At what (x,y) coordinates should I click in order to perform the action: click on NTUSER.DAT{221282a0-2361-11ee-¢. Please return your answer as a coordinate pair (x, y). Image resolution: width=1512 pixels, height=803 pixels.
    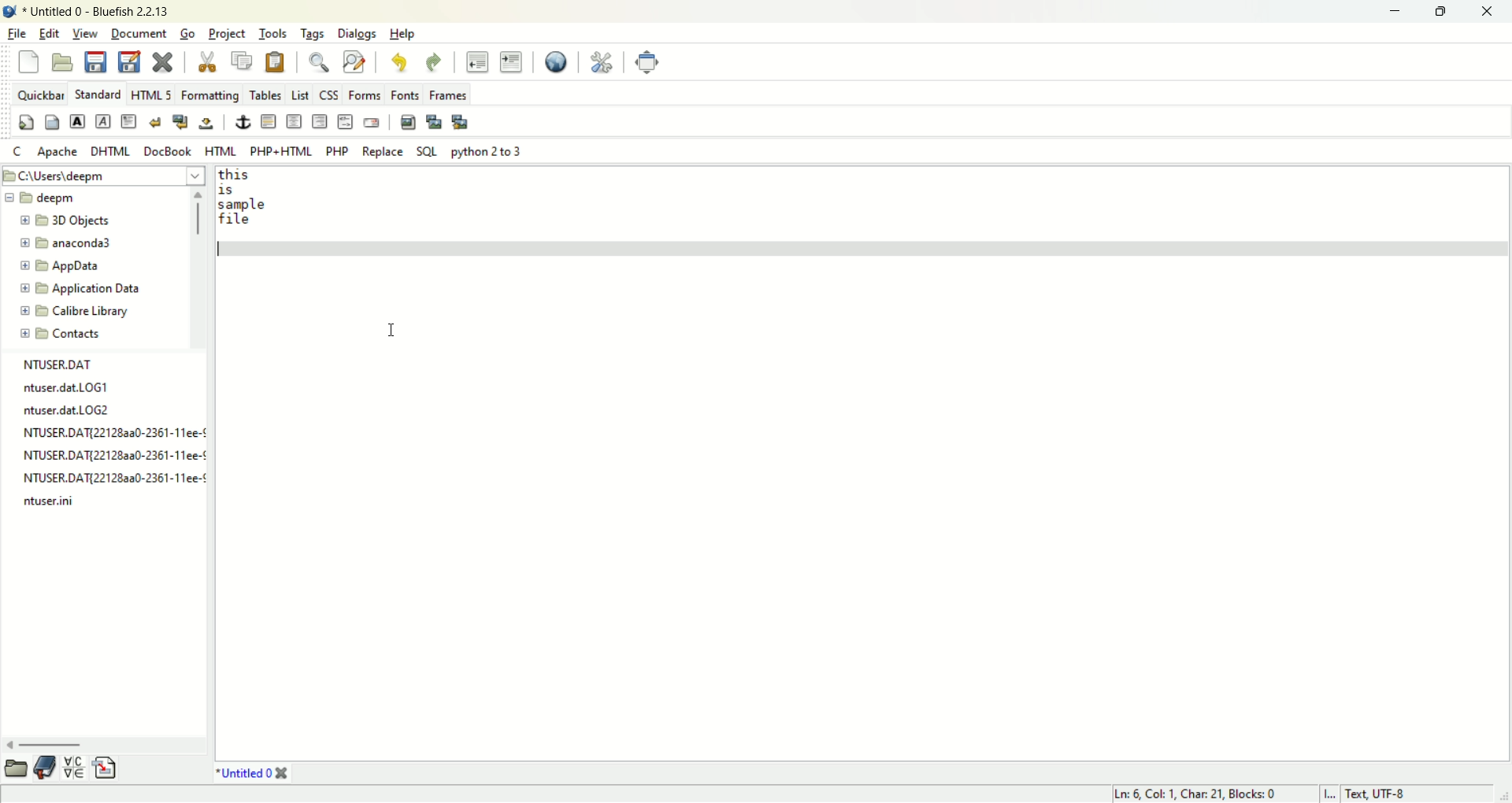
    Looking at the image, I should click on (113, 454).